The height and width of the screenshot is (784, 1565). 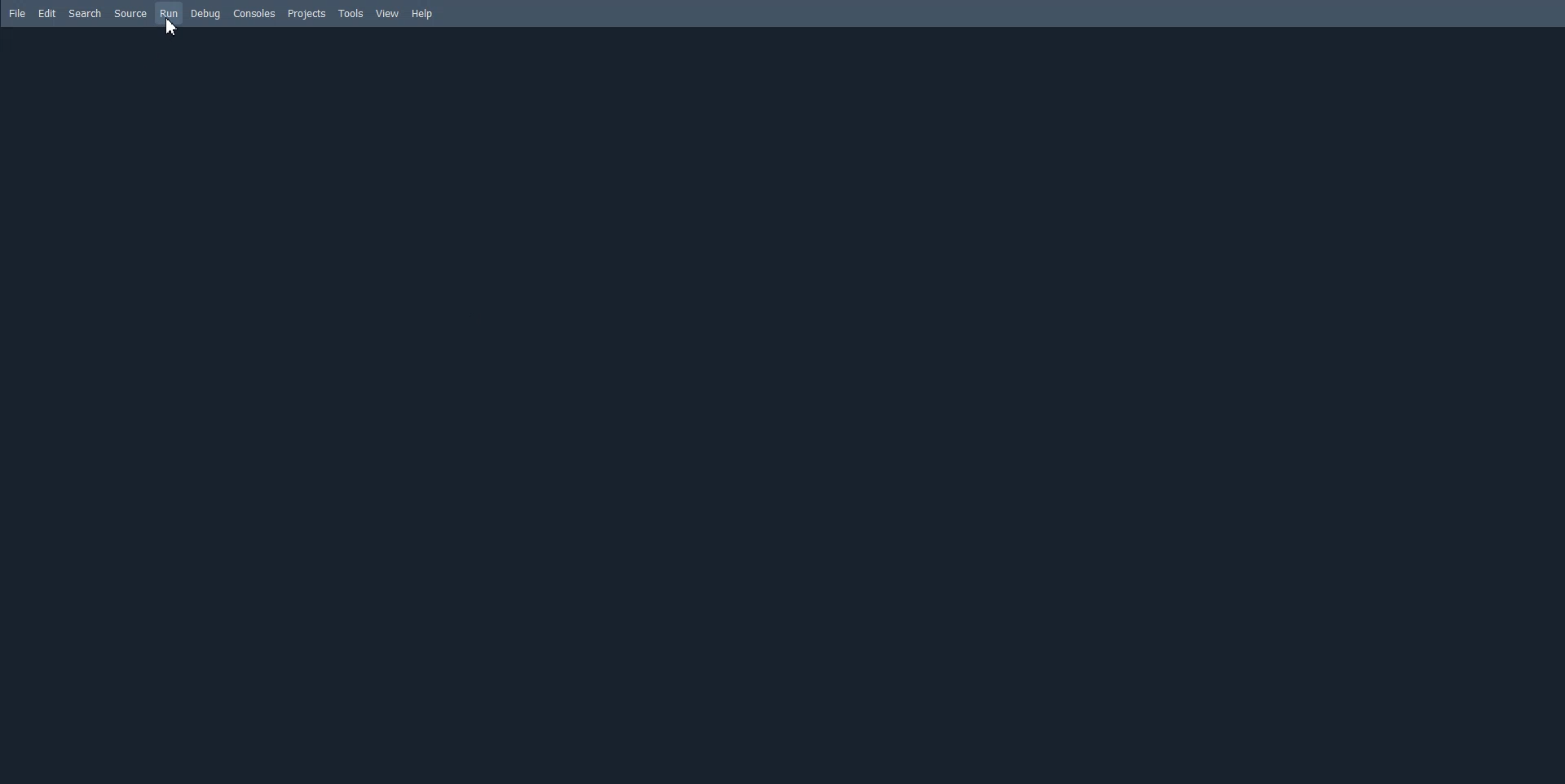 I want to click on View, so click(x=388, y=14).